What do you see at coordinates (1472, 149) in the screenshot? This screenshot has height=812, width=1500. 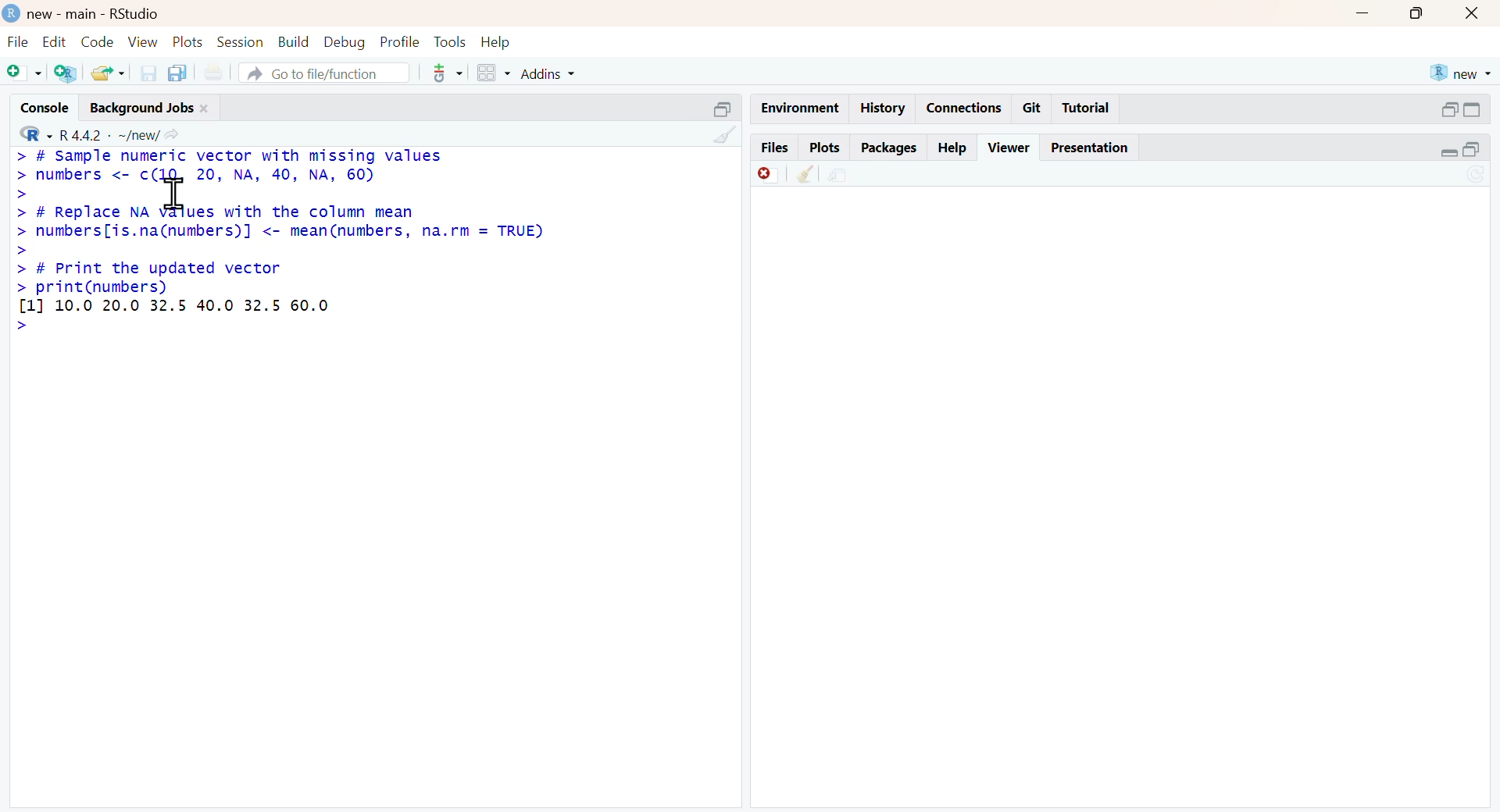 I see `open in separate window` at bounding box center [1472, 149].